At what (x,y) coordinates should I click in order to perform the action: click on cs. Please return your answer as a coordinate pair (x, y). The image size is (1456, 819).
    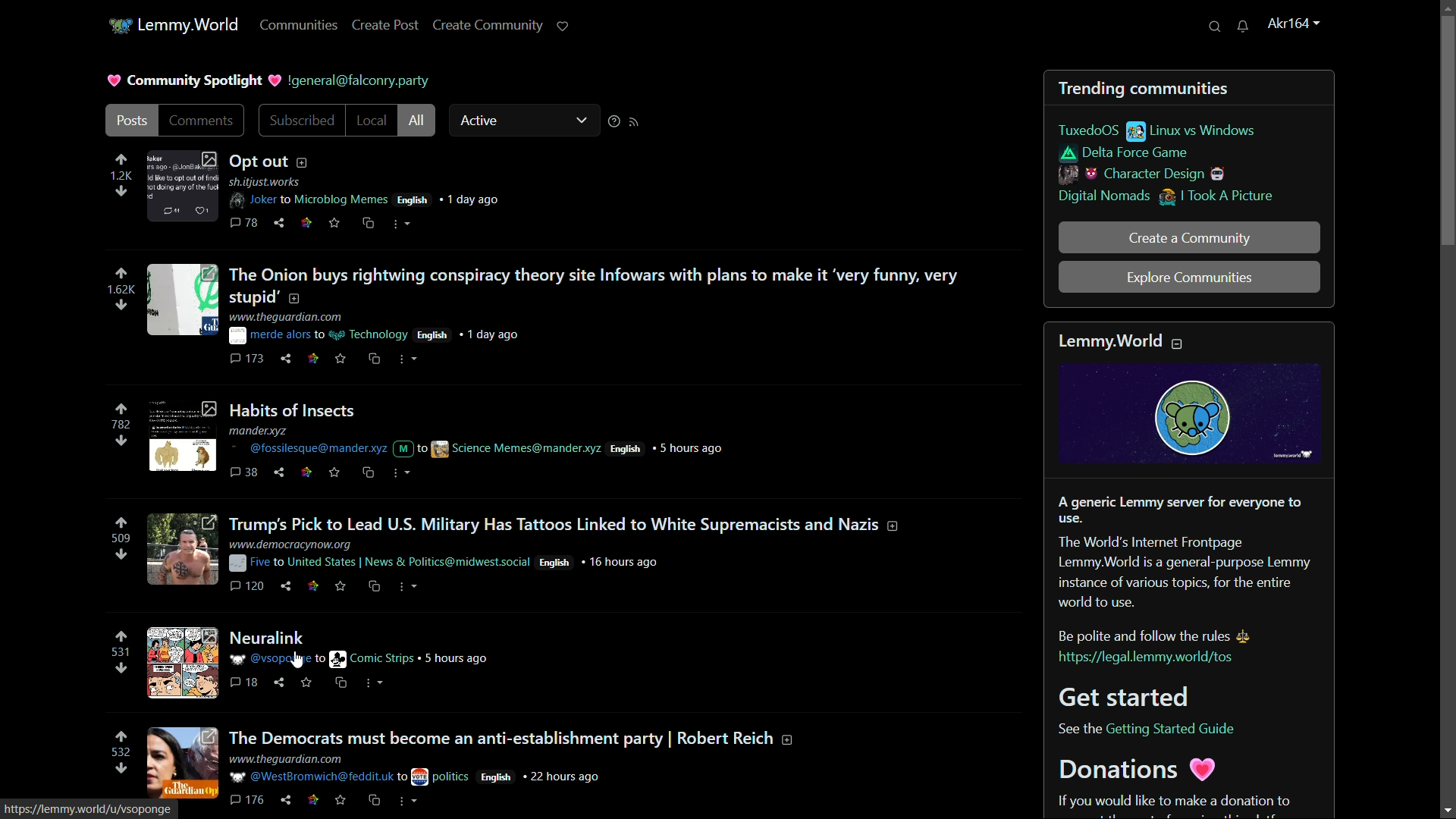
    Looking at the image, I should click on (369, 222).